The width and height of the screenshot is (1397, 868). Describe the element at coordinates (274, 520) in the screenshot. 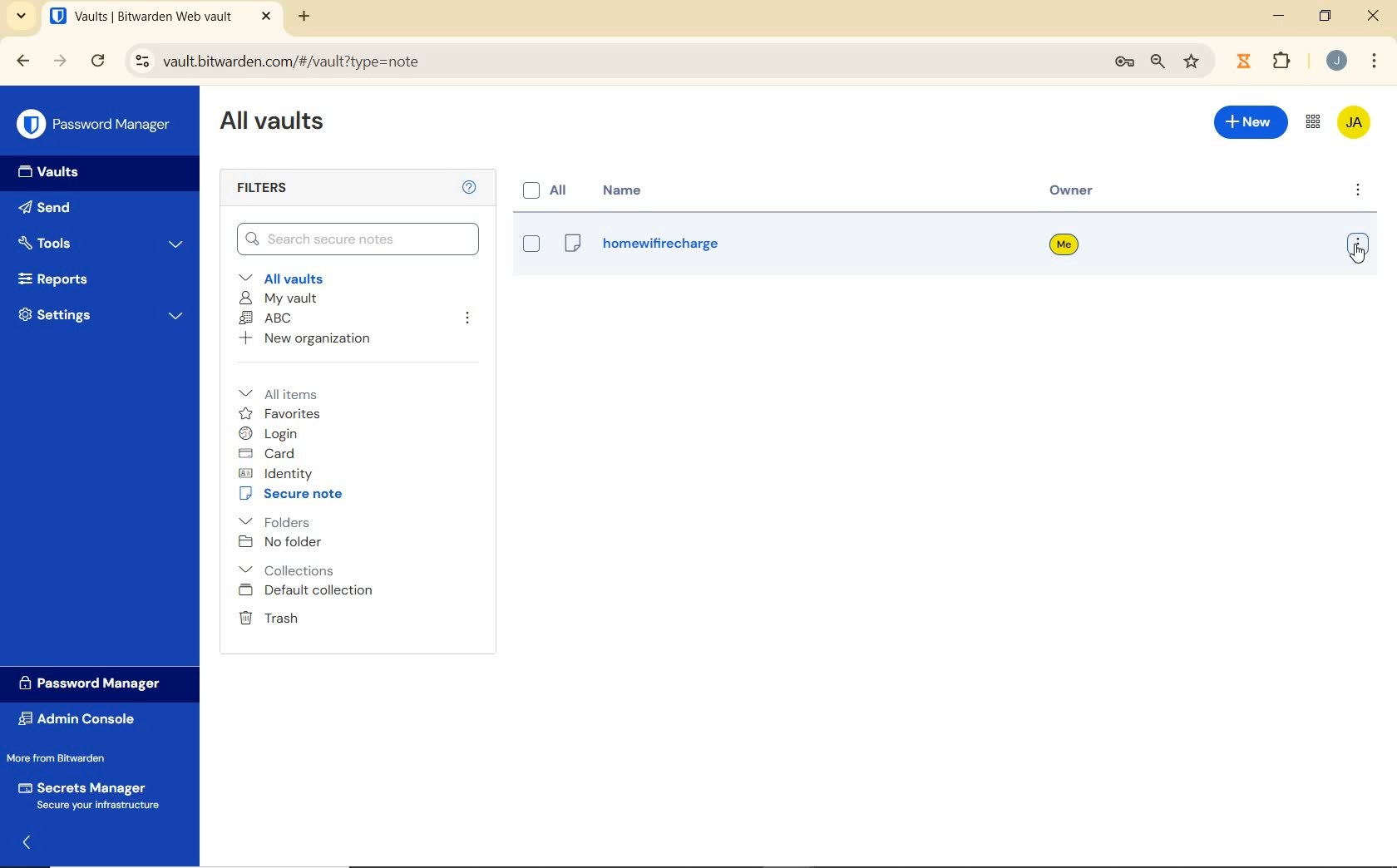

I see `folders` at that location.